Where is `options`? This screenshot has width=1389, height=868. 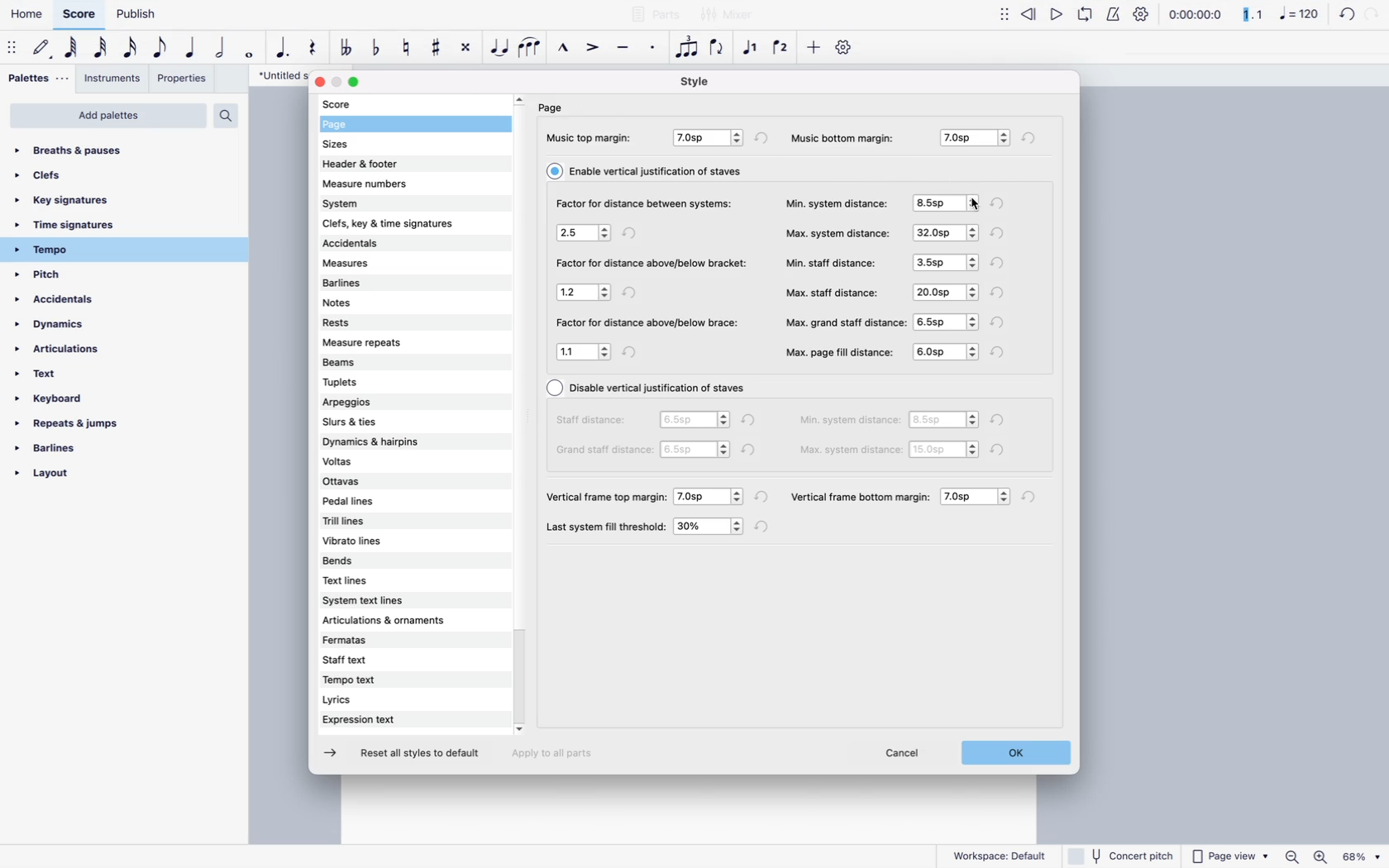
options is located at coordinates (943, 261).